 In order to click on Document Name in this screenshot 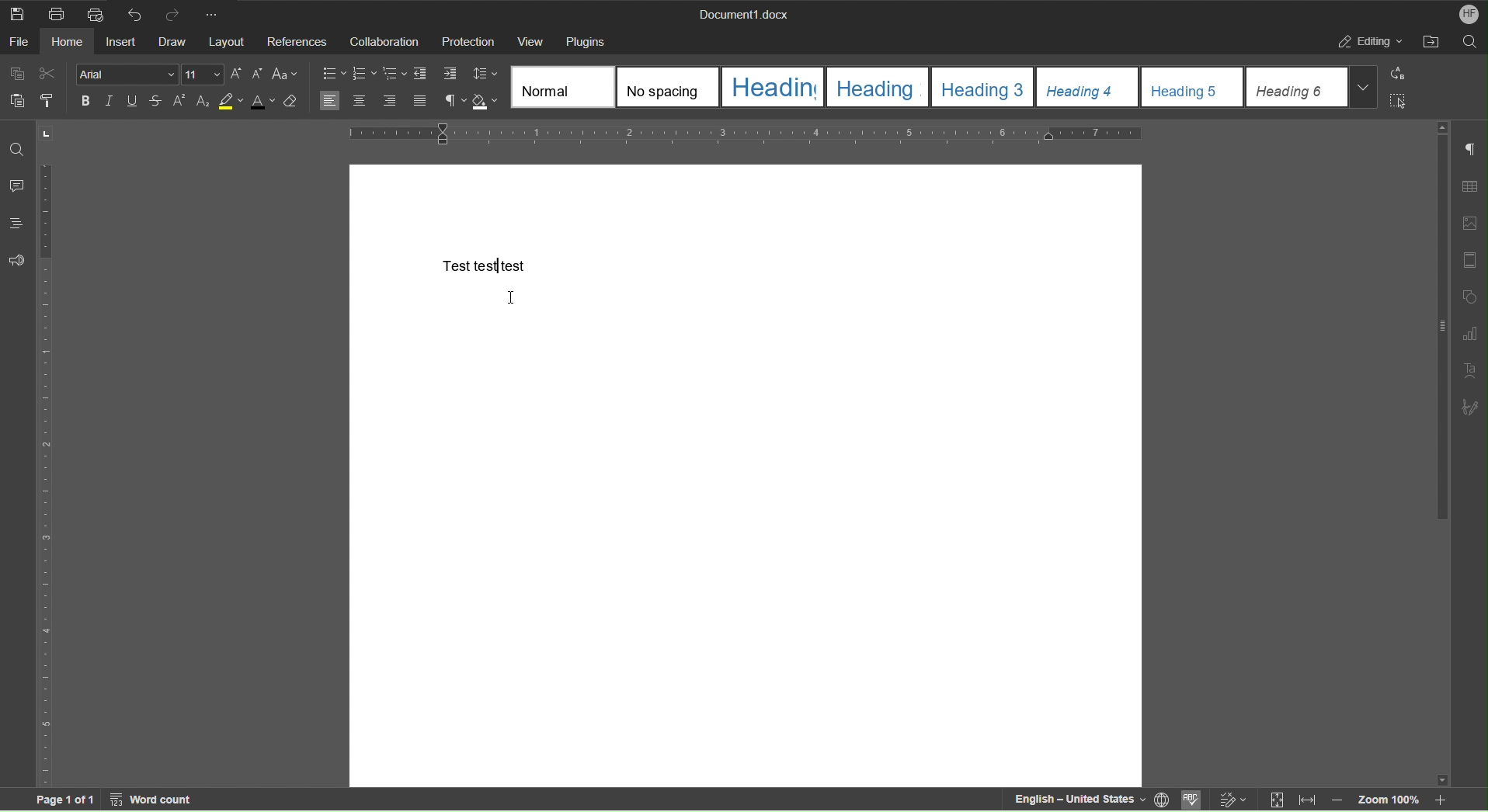, I will do `click(742, 12)`.